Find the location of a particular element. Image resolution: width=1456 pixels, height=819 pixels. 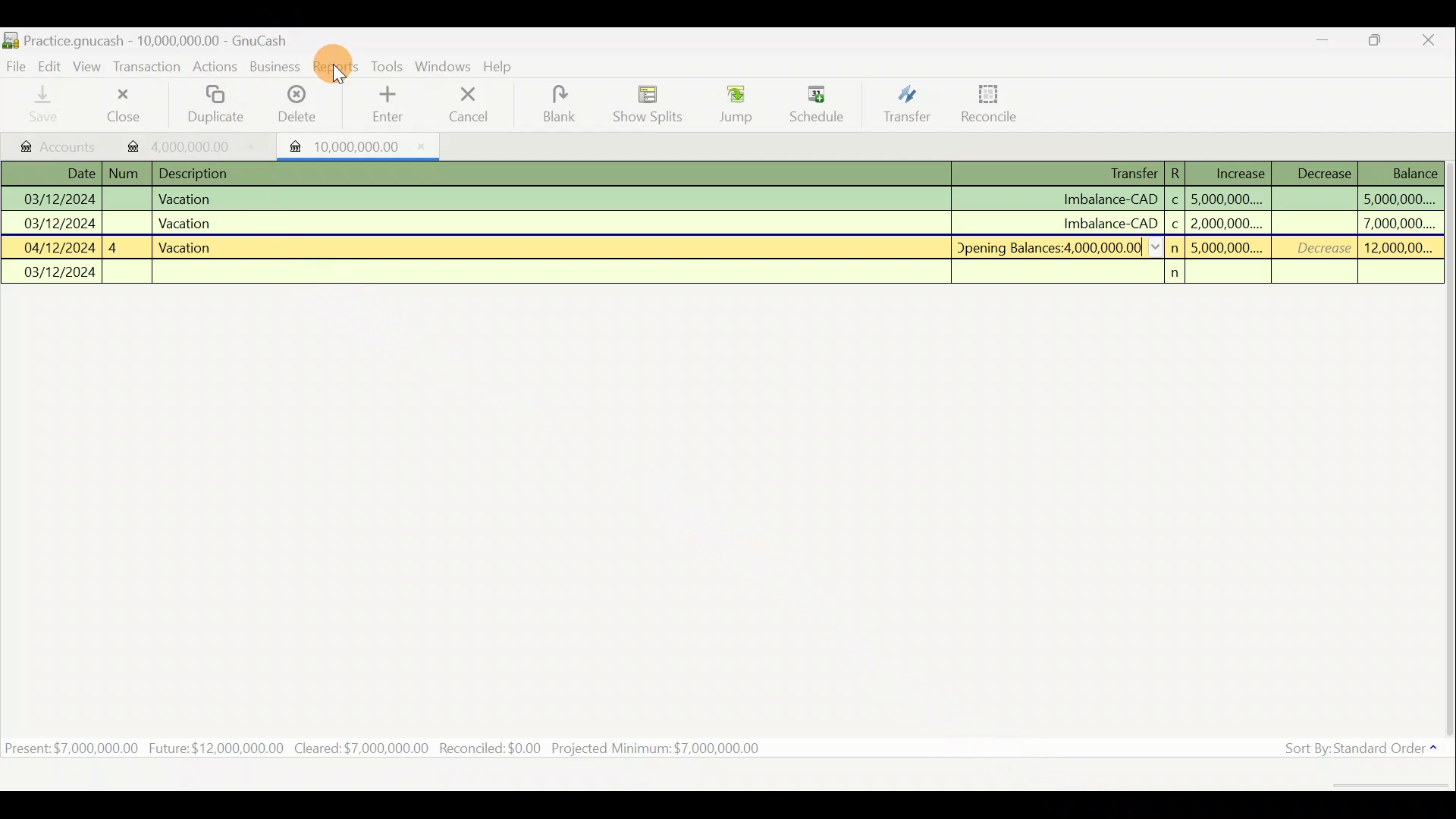

Accounts is located at coordinates (58, 147).